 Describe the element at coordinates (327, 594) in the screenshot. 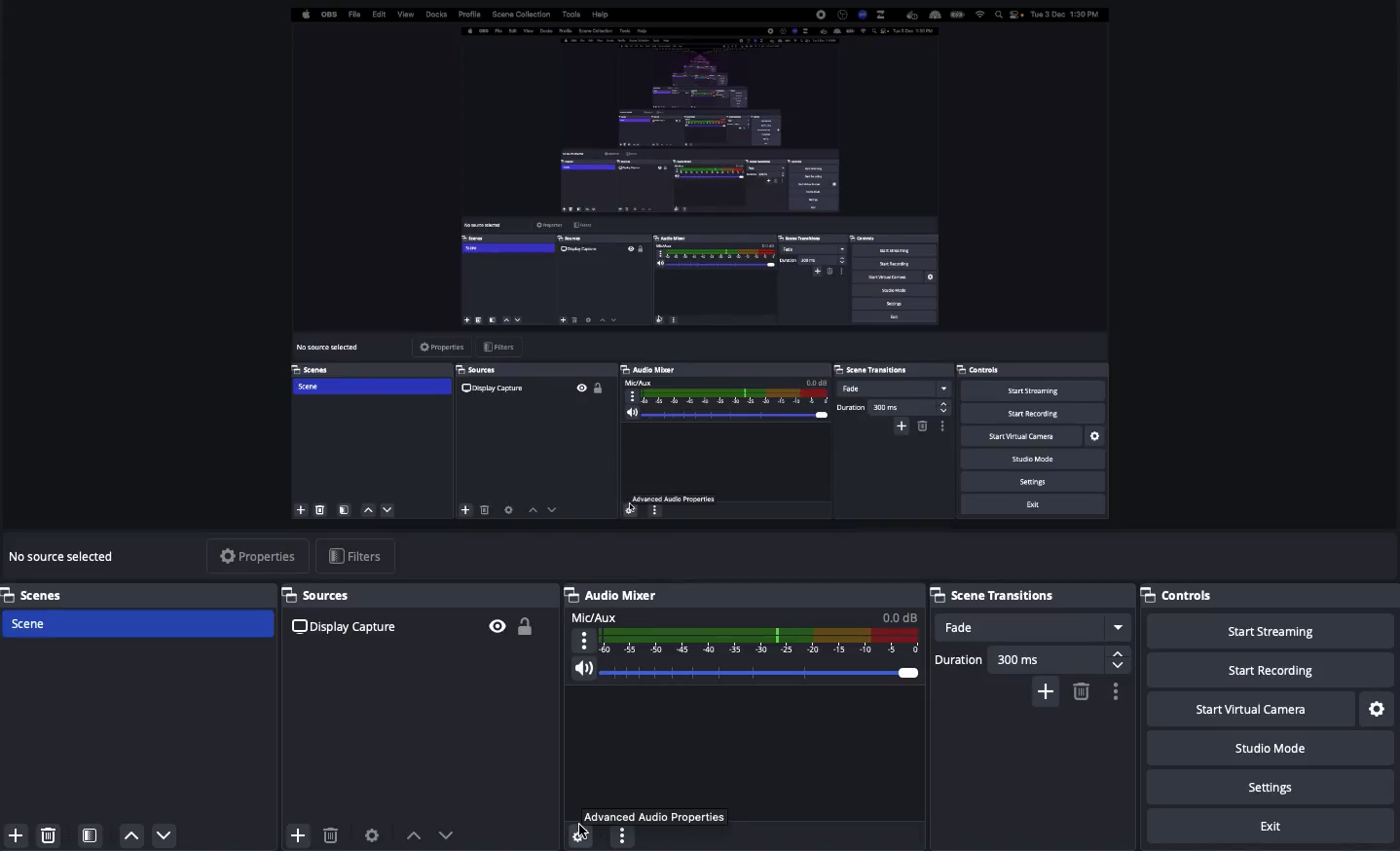

I see `Sources` at that location.